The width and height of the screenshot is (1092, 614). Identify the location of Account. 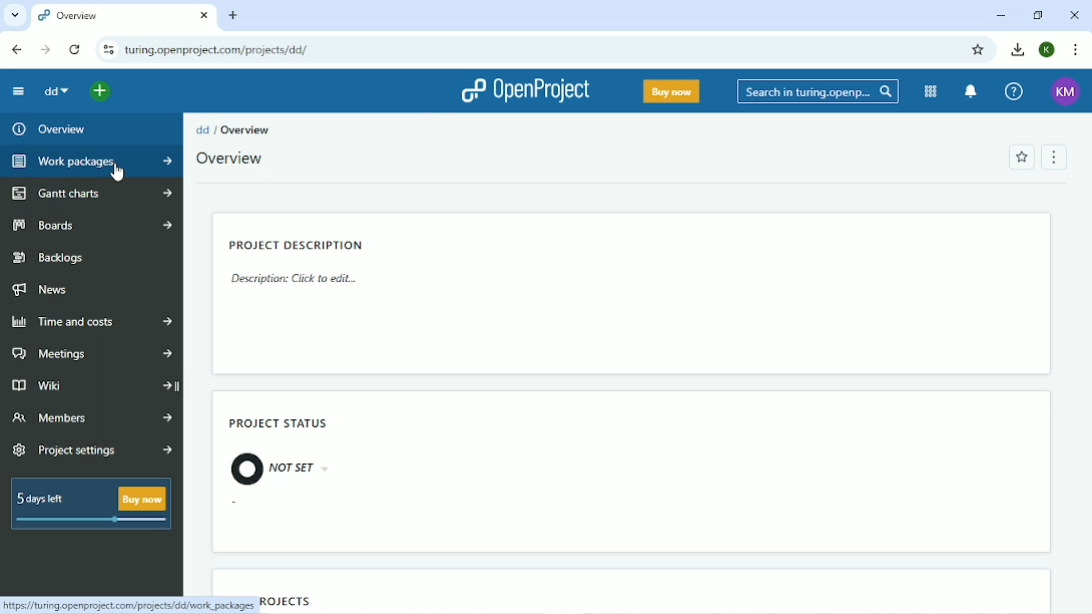
(1066, 92).